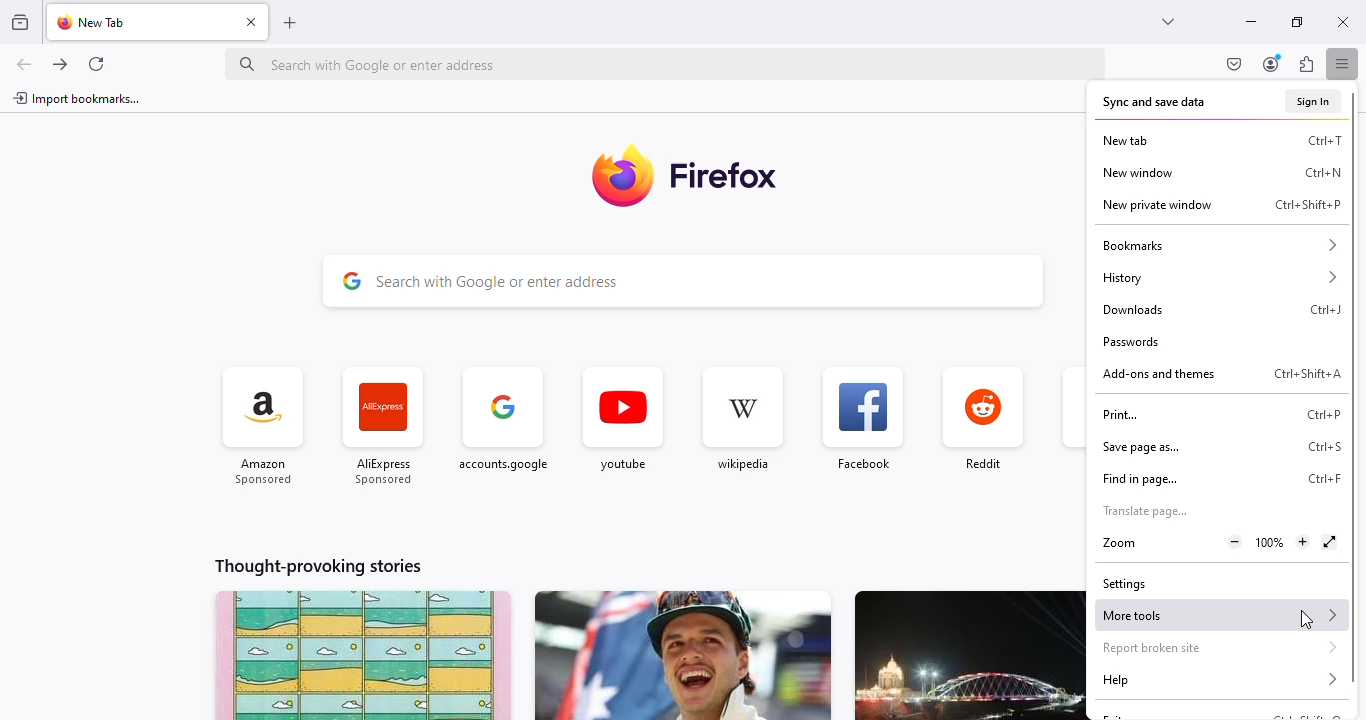 The height and width of the screenshot is (720, 1366). What do you see at coordinates (1221, 277) in the screenshot?
I see `history` at bounding box center [1221, 277].